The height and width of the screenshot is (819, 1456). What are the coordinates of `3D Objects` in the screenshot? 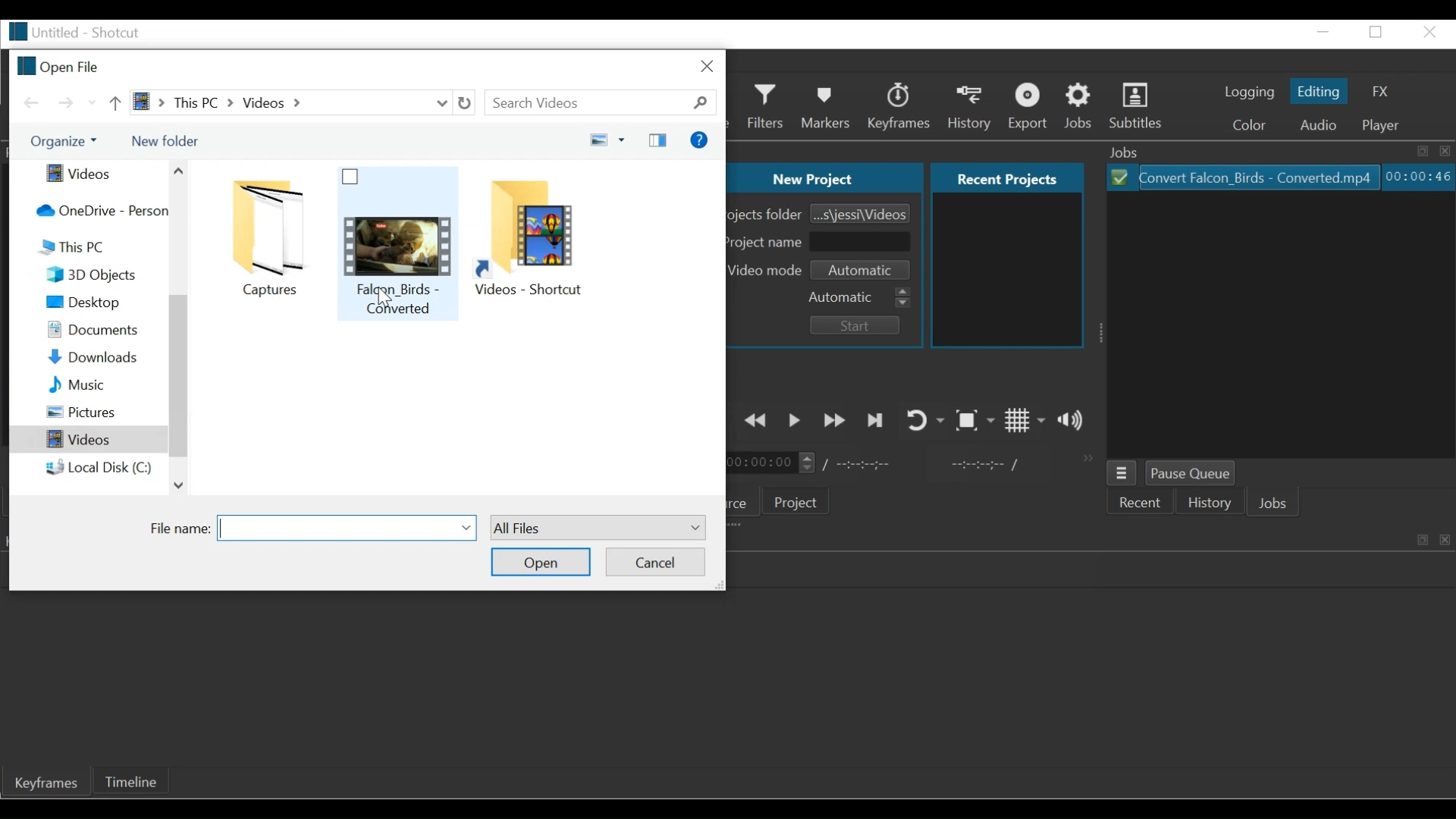 It's located at (98, 275).